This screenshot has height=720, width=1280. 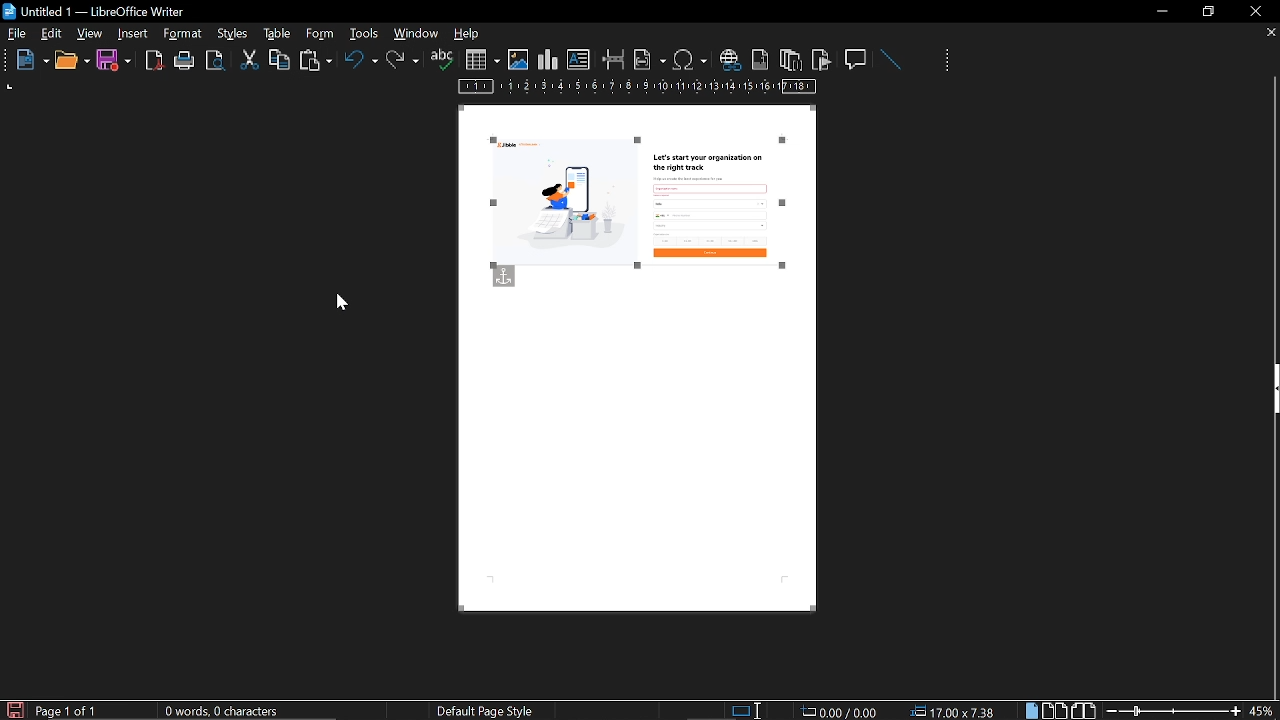 What do you see at coordinates (1085, 711) in the screenshot?
I see `book view` at bounding box center [1085, 711].